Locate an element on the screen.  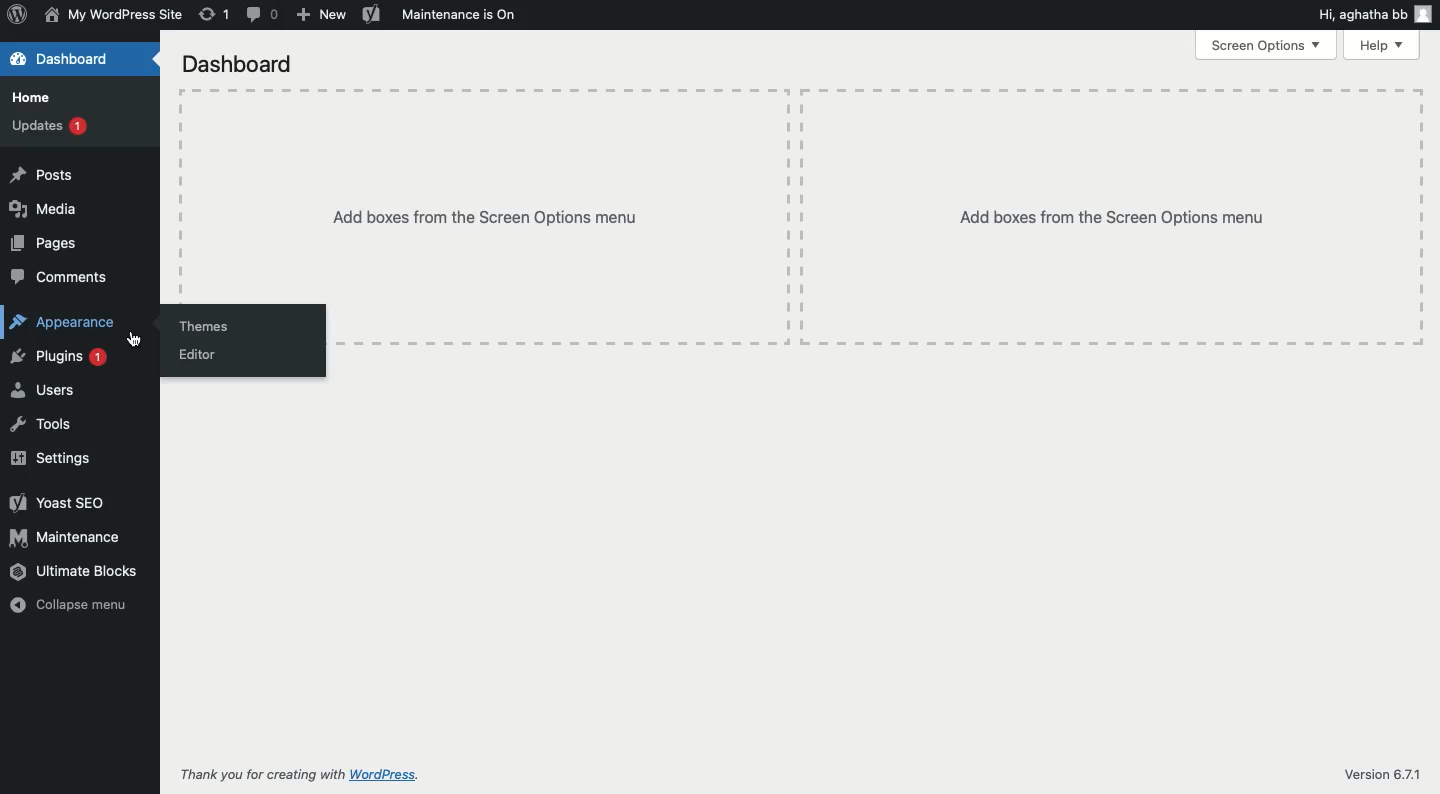
Maintenance is located at coordinates (459, 15).